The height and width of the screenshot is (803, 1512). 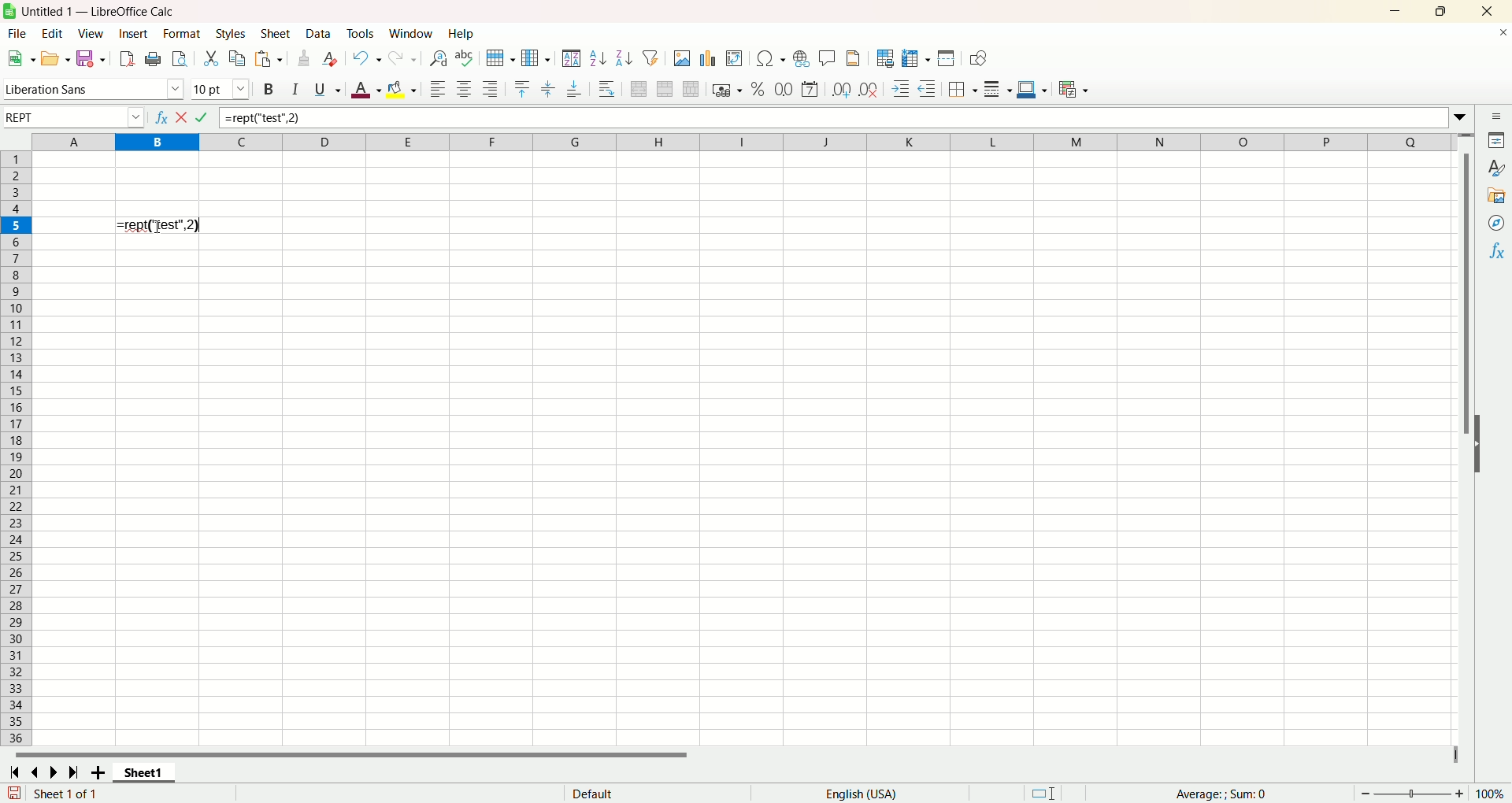 I want to click on insert pivot table, so click(x=735, y=58).